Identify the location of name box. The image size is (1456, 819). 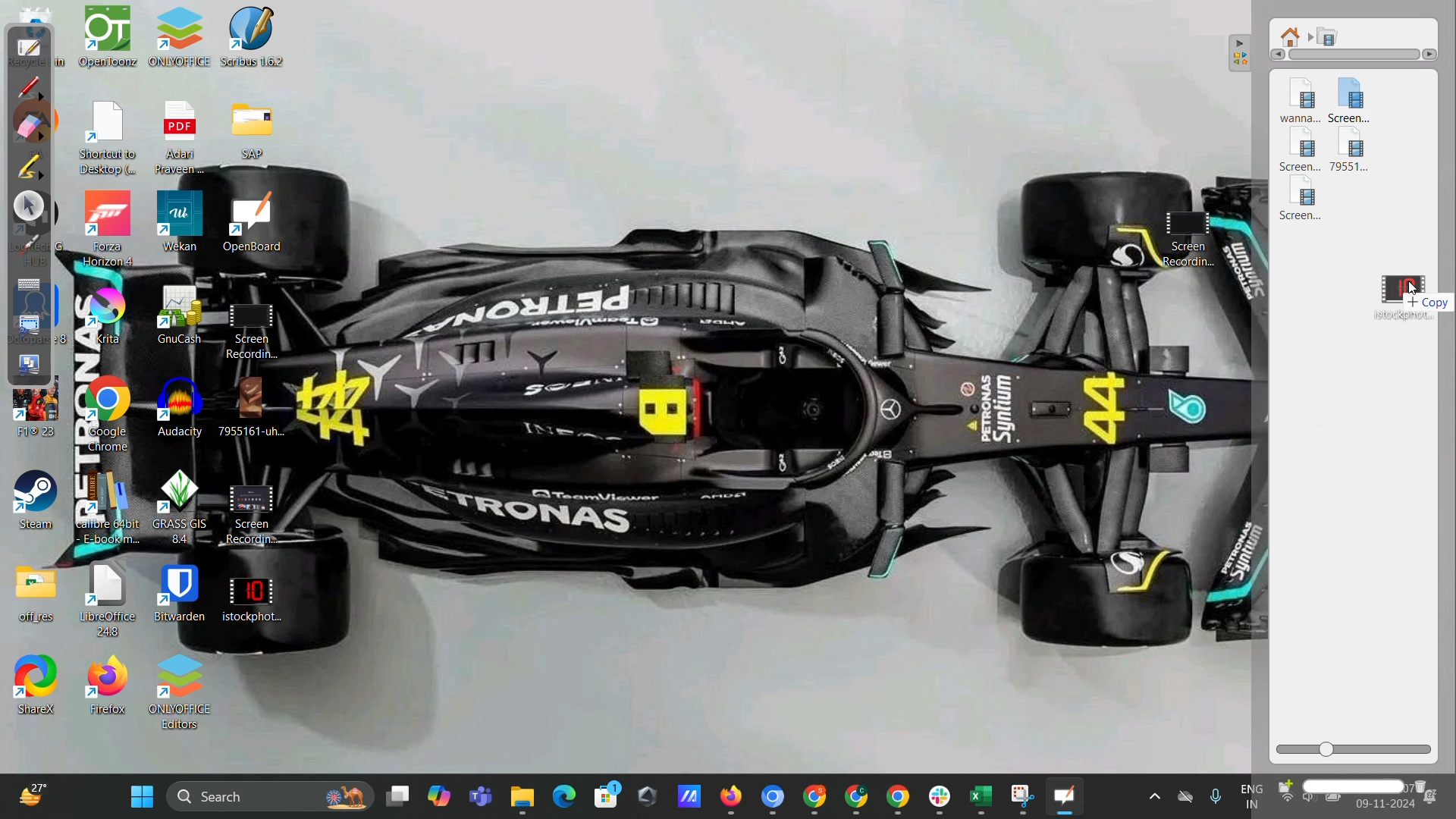
(1355, 787).